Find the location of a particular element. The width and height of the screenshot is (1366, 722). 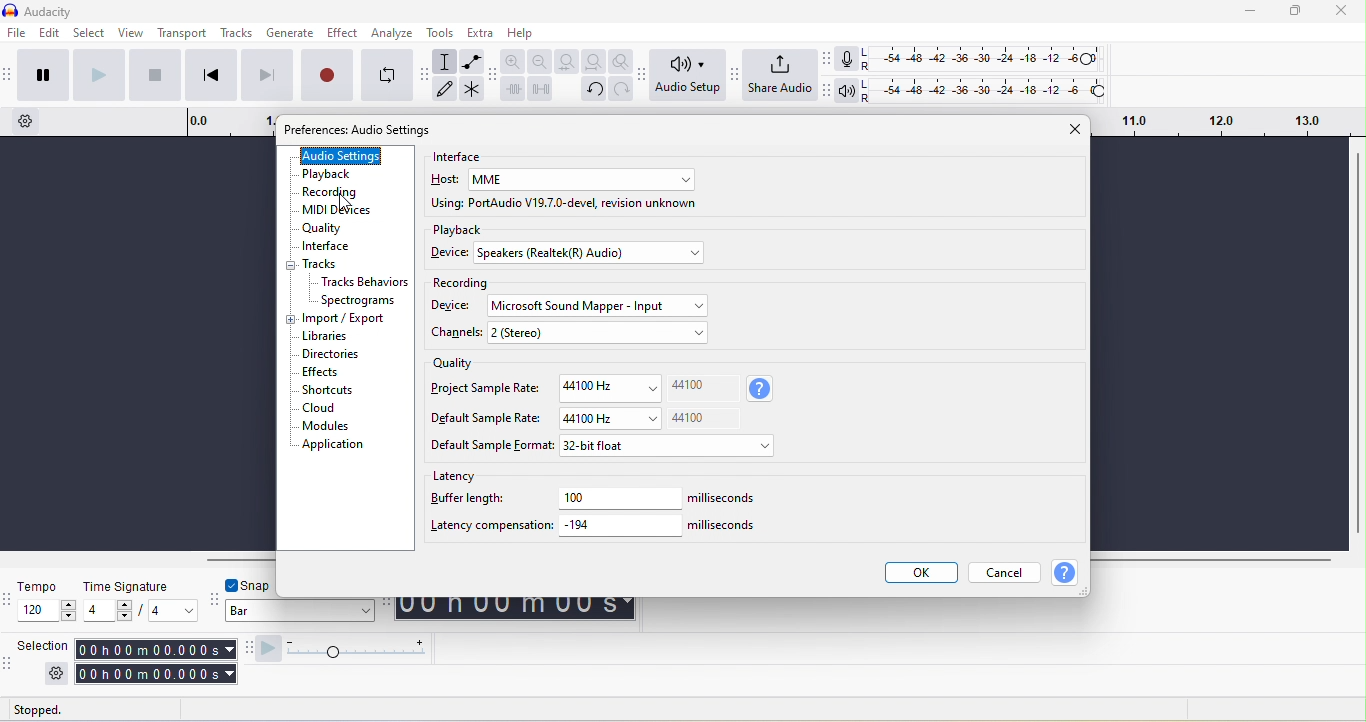

recording is located at coordinates (467, 281).